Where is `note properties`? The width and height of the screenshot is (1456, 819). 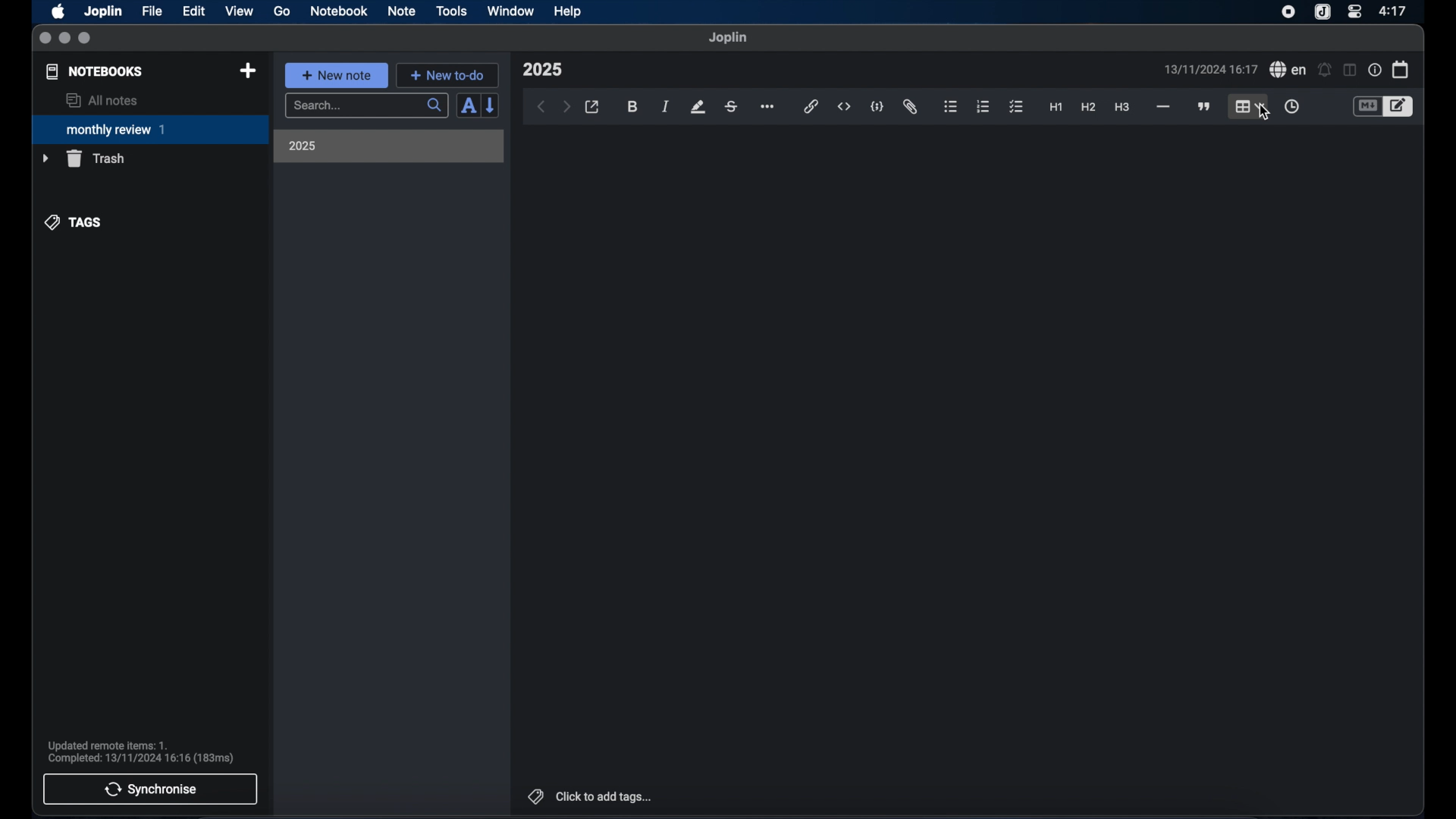
note properties is located at coordinates (1375, 71).